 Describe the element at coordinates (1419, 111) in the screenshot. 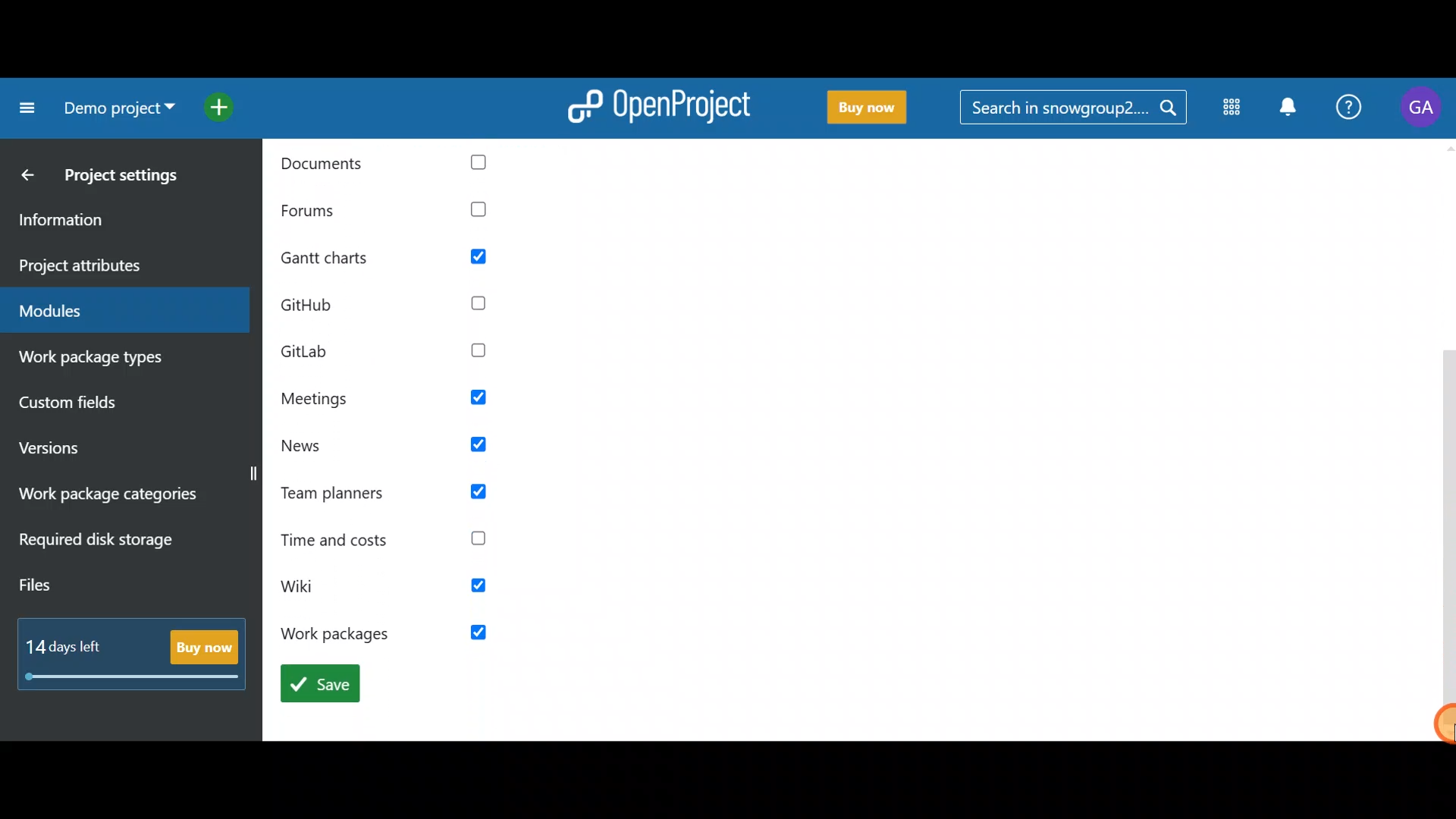

I see `Account name` at that location.